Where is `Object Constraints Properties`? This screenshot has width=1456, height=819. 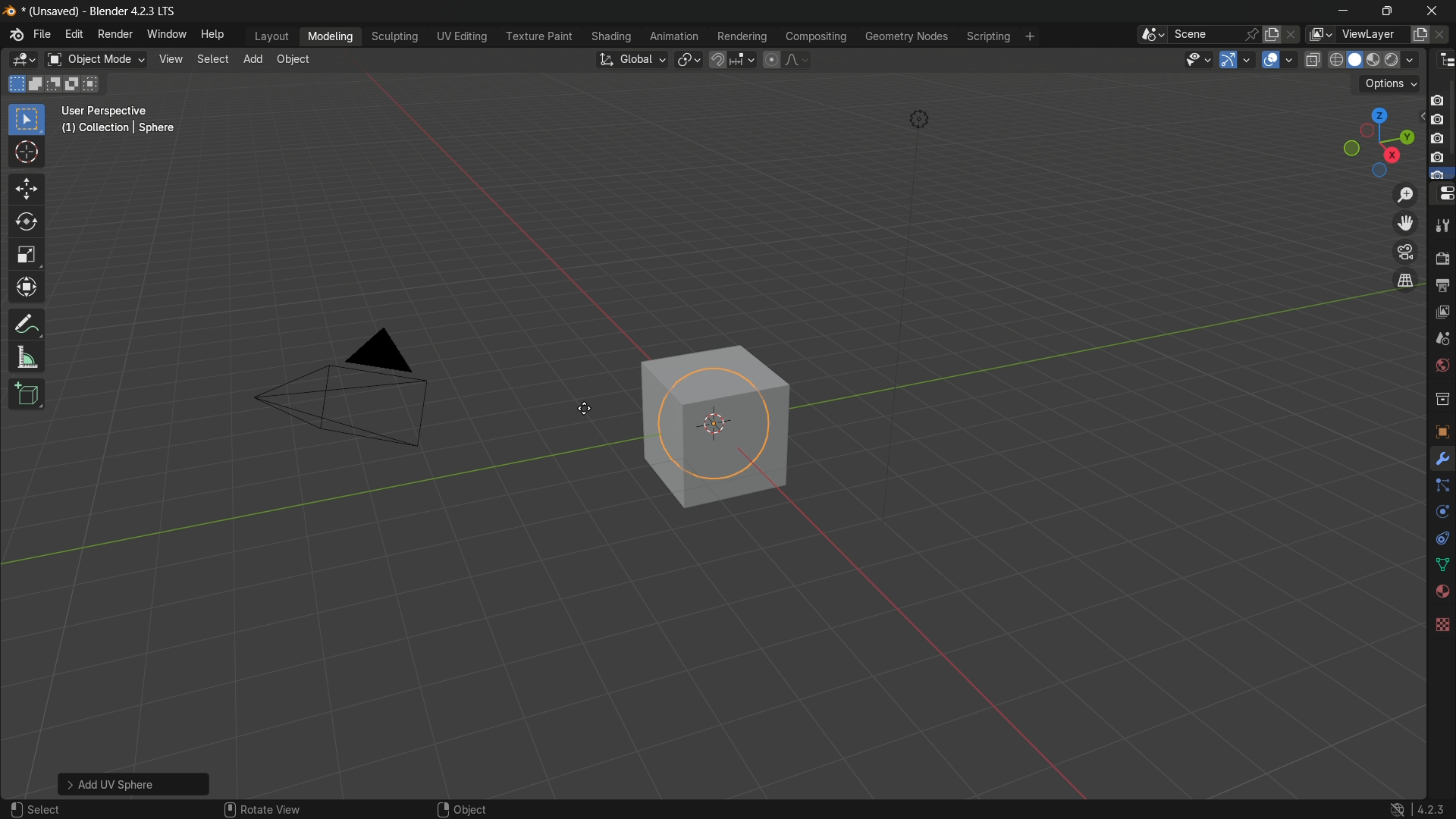 Object Constraints Properties is located at coordinates (1442, 535).